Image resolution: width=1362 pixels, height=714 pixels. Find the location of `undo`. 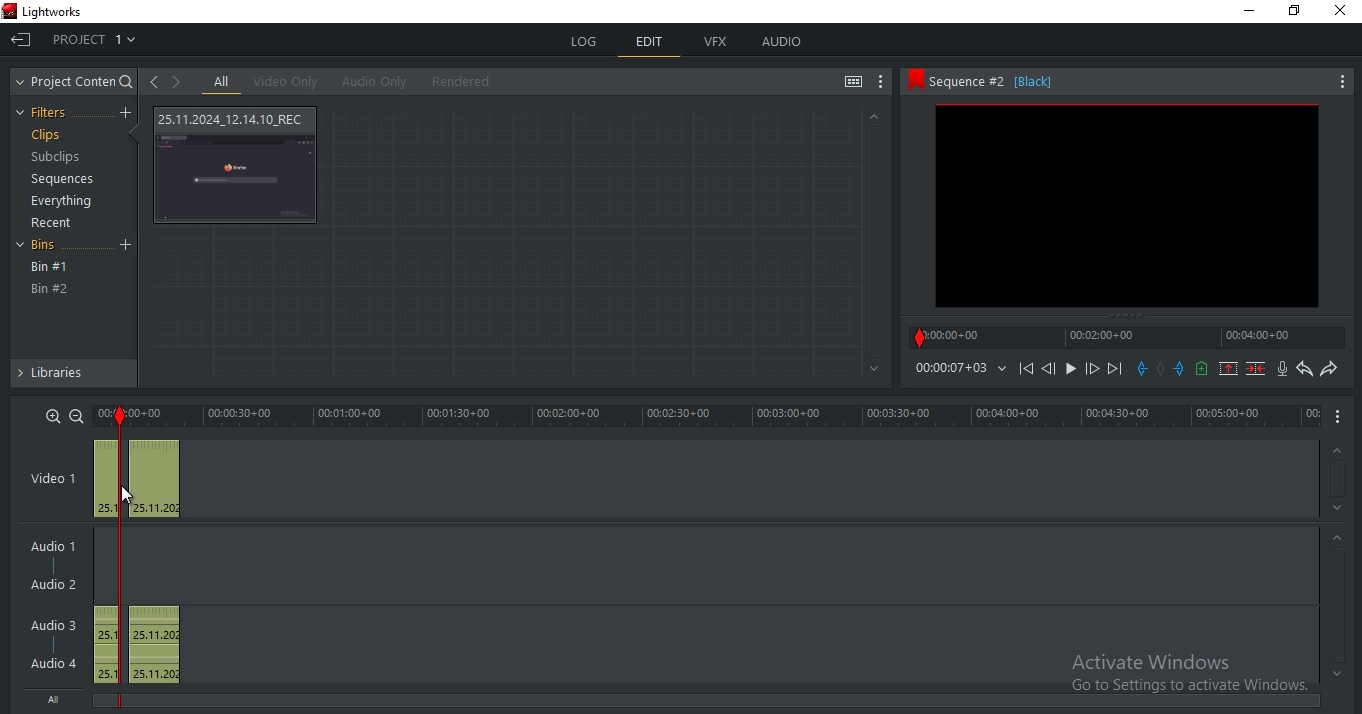

undo is located at coordinates (1305, 369).